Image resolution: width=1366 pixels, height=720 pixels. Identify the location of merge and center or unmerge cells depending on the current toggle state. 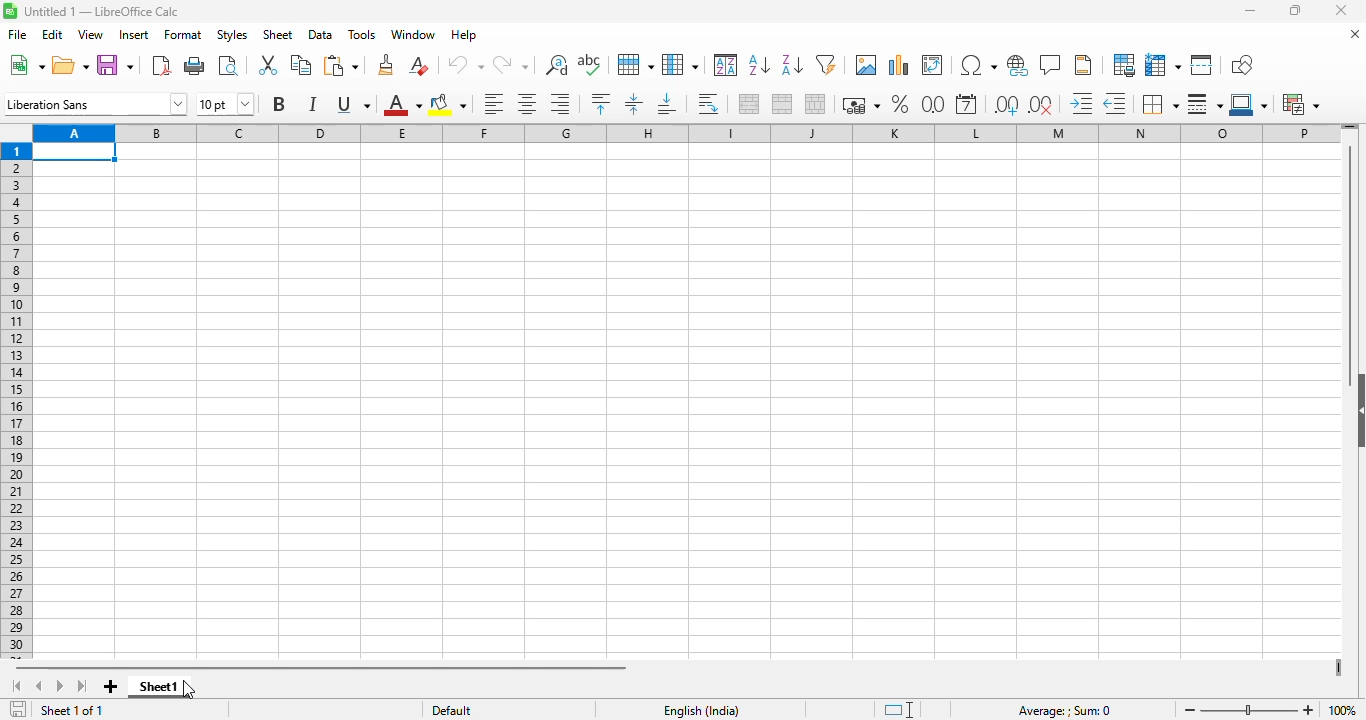
(750, 104).